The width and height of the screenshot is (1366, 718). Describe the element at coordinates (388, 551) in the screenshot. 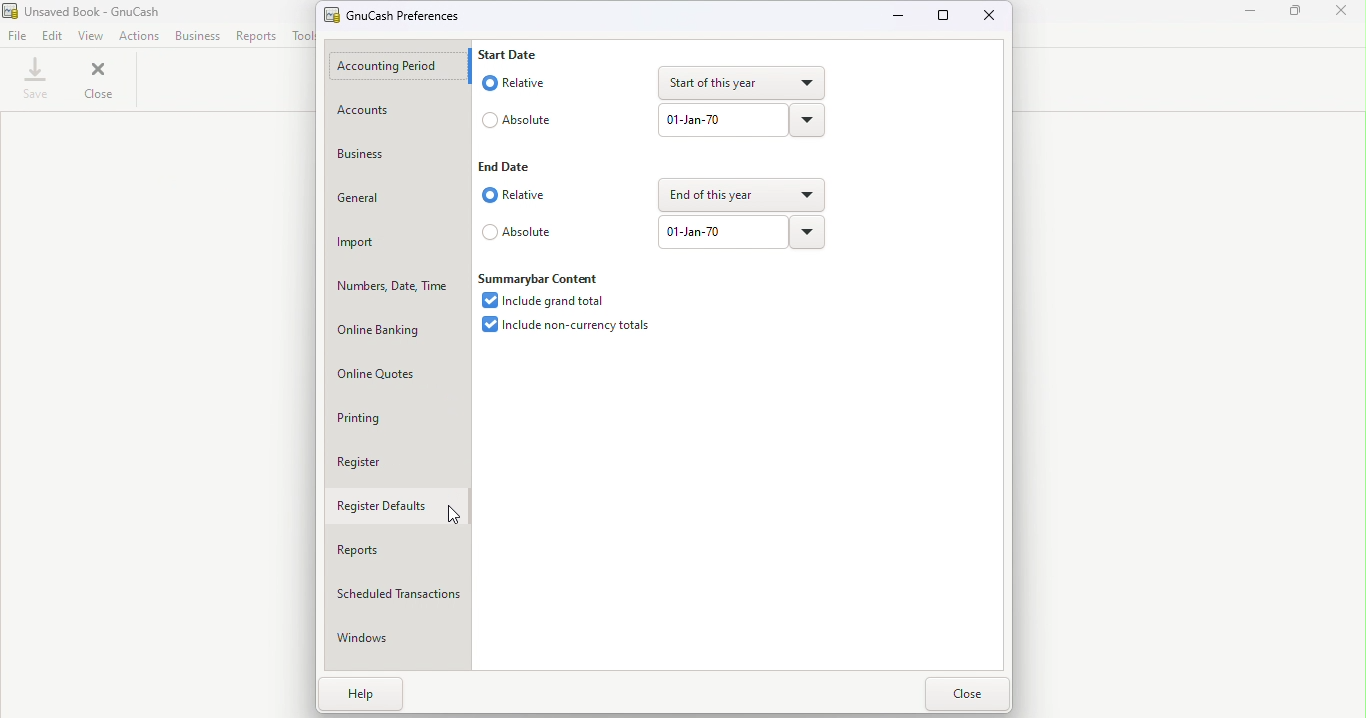

I see `Reports` at that location.